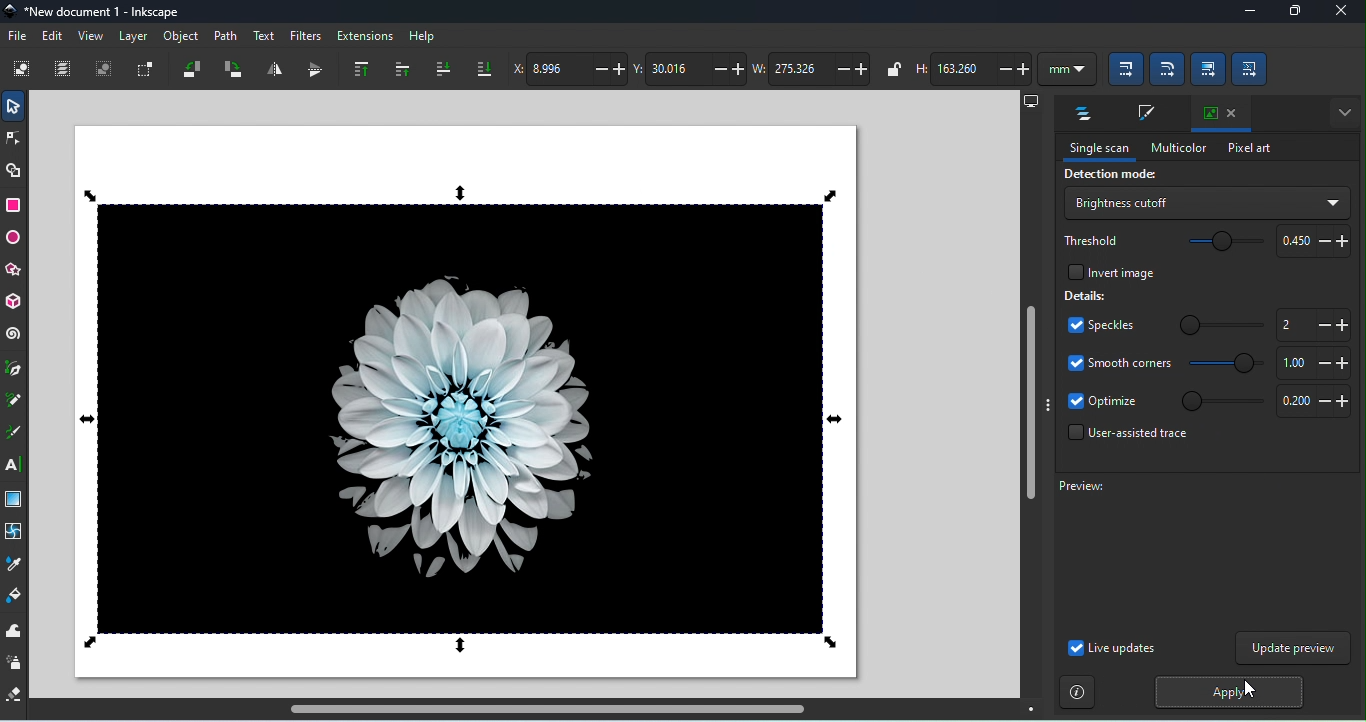 The height and width of the screenshot is (722, 1366). Describe the element at coordinates (137, 39) in the screenshot. I see `Layer` at that location.